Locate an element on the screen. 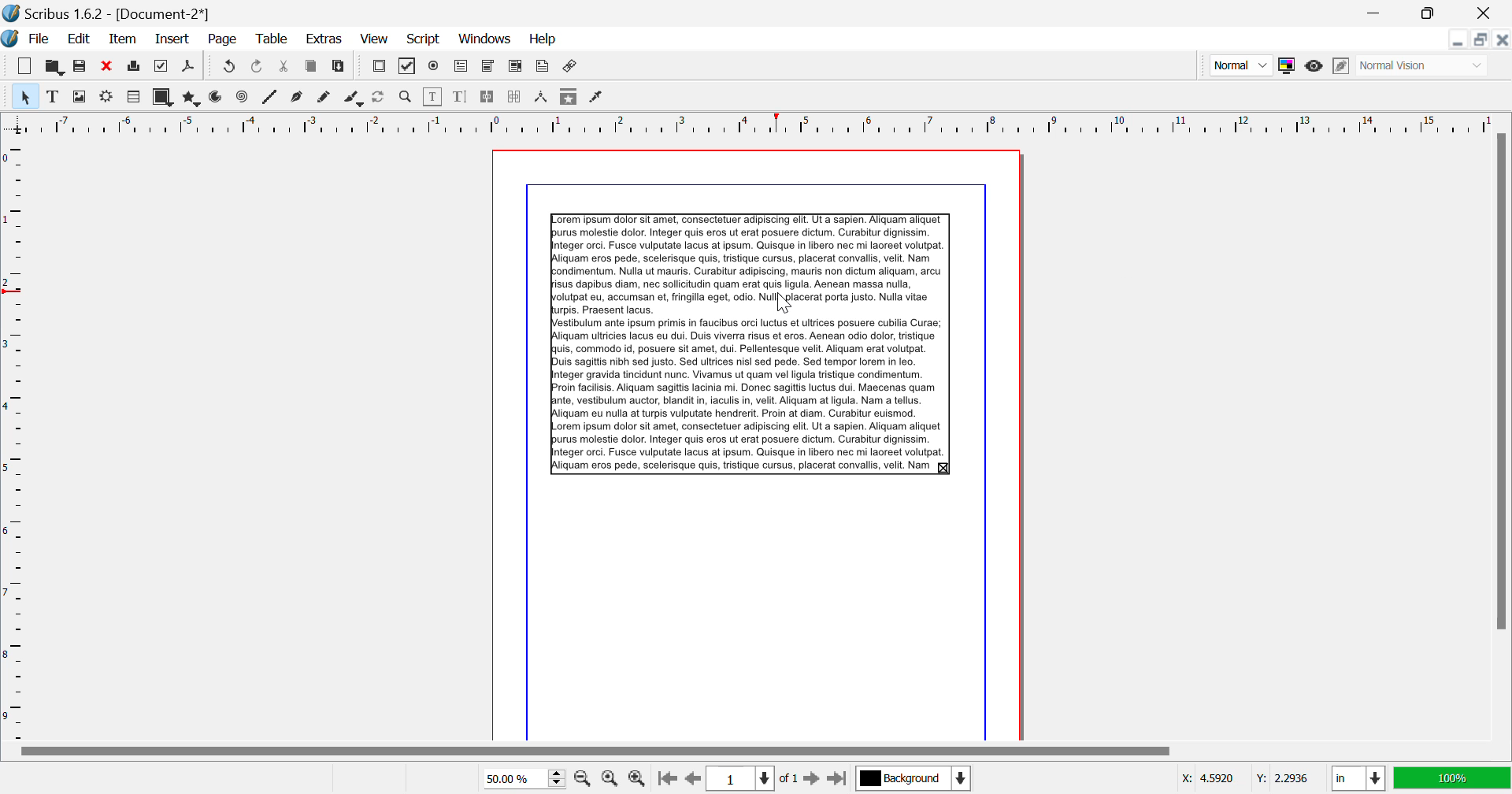  Redo is located at coordinates (227, 68).